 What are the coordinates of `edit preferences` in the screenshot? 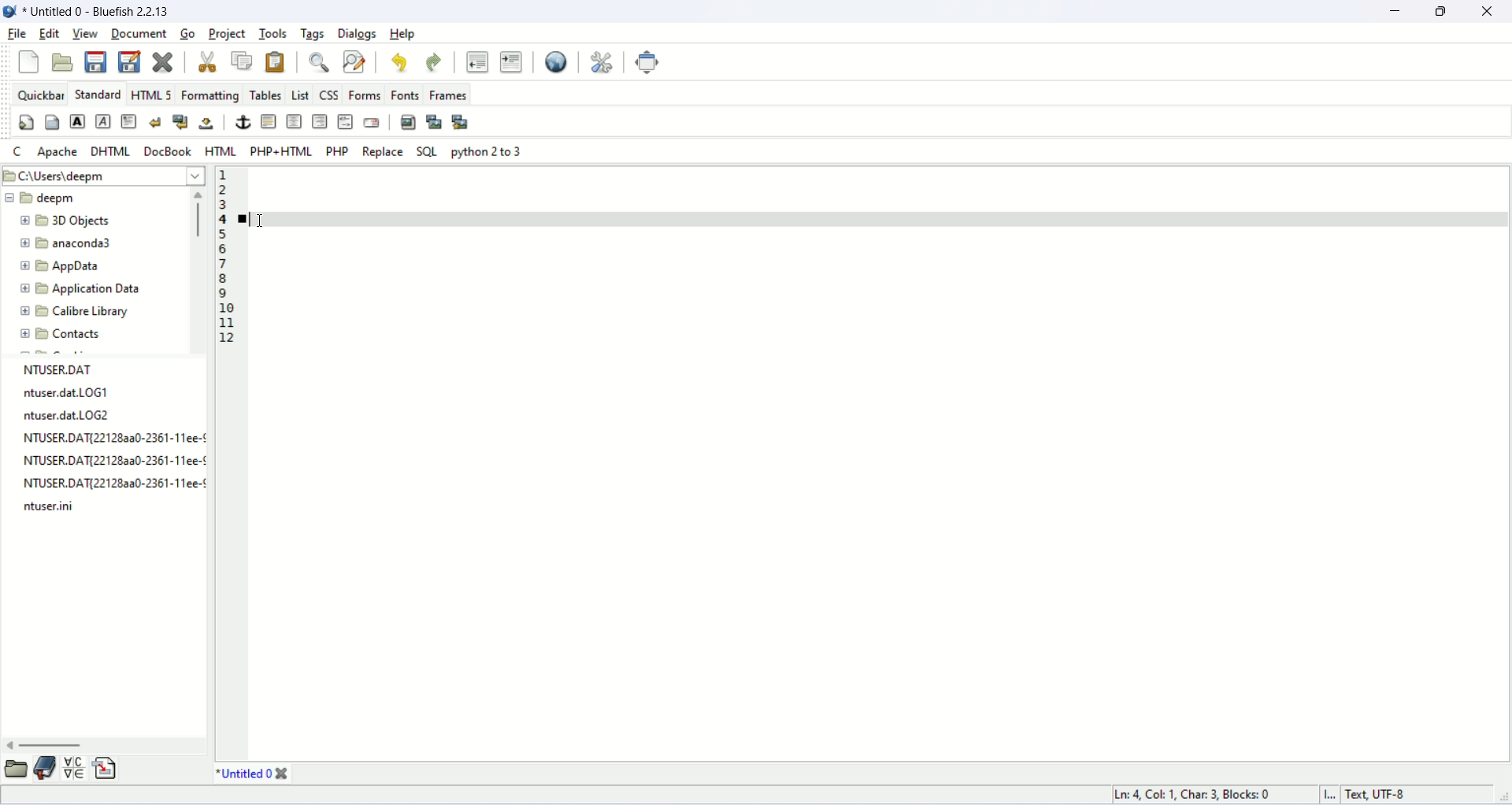 It's located at (603, 62).